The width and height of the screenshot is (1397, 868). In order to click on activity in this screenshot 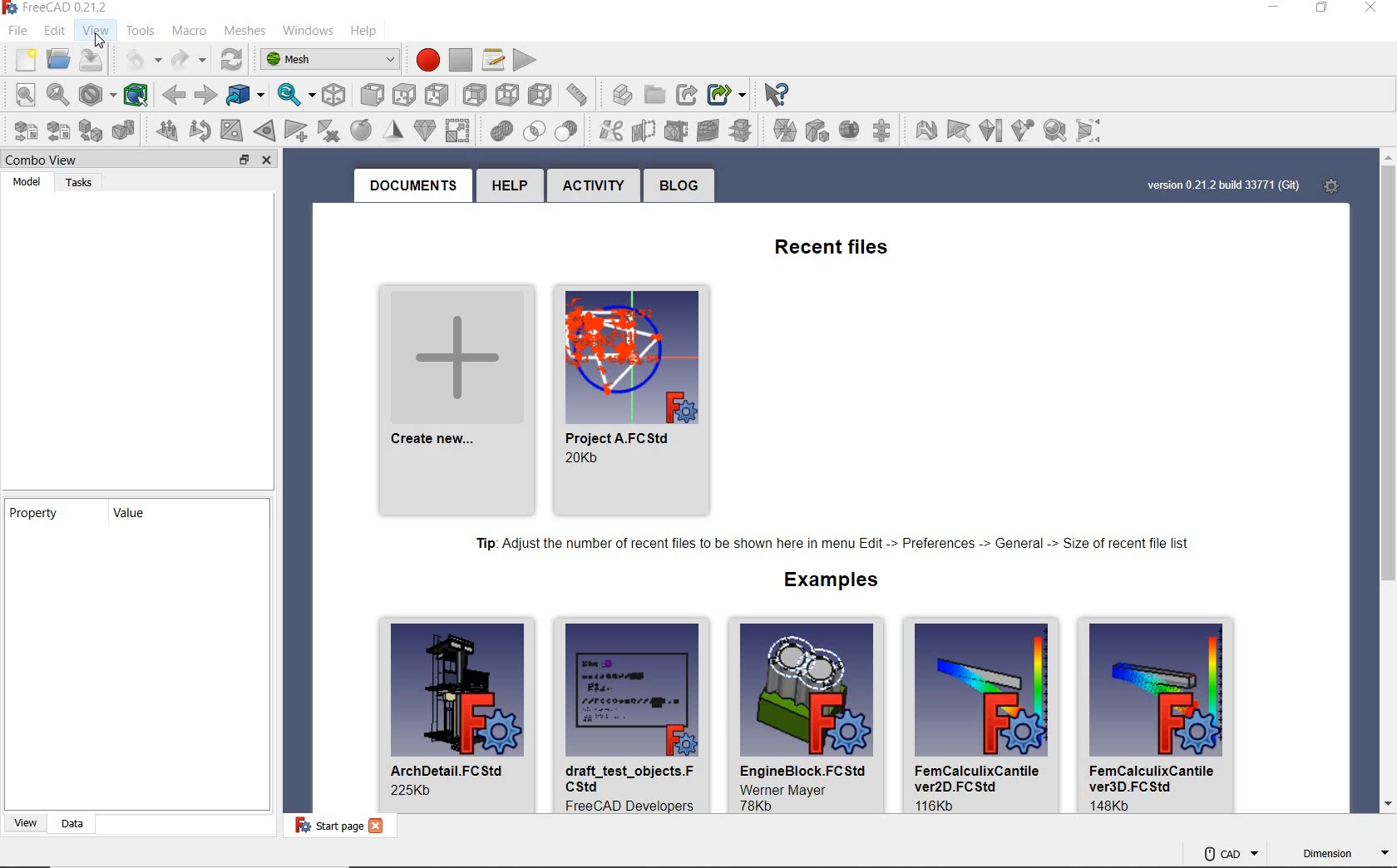, I will do `click(595, 186)`.